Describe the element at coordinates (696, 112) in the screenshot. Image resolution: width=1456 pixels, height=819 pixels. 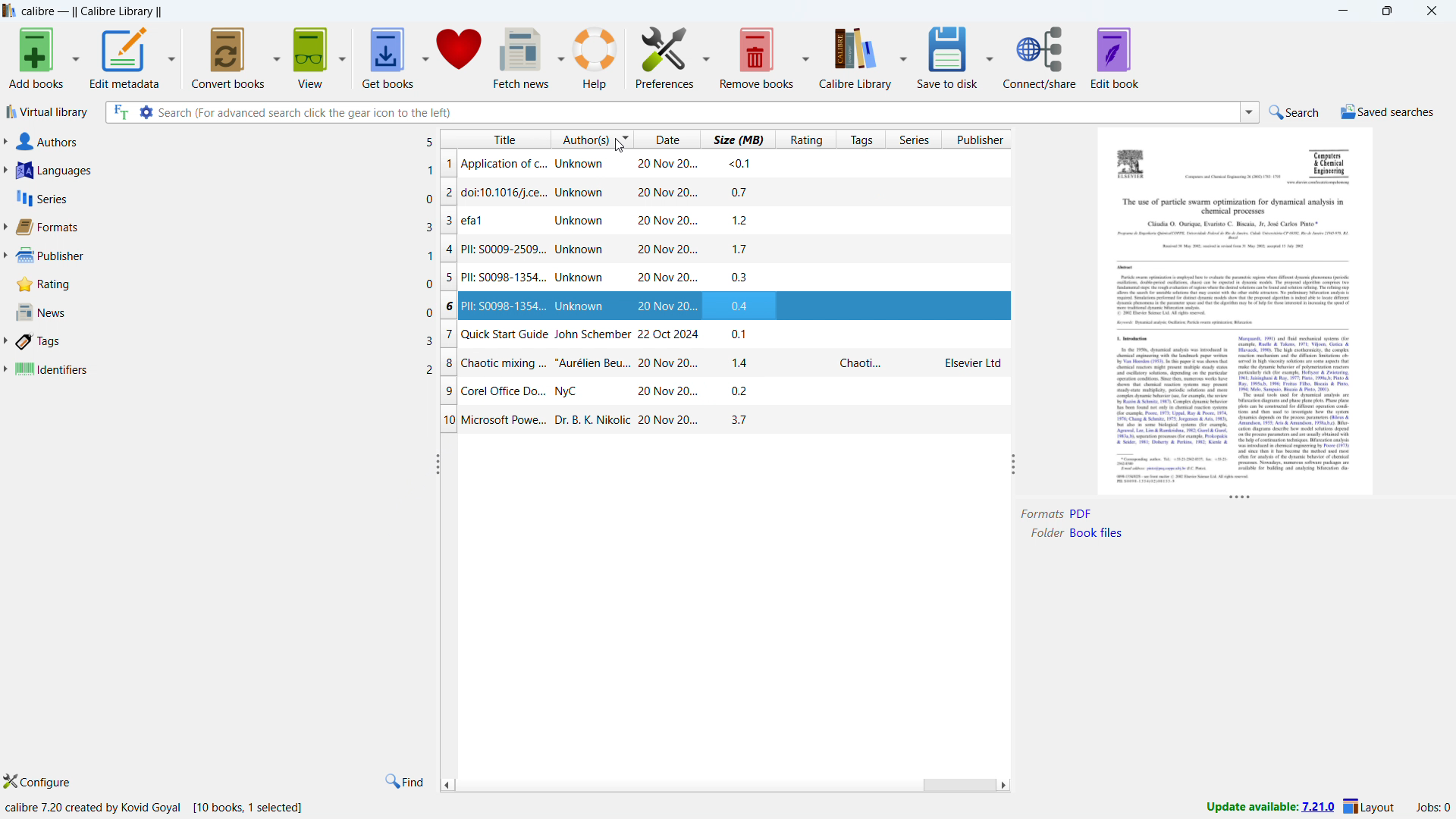
I see `search (For advanced search click the gear icon to the left` at that location.